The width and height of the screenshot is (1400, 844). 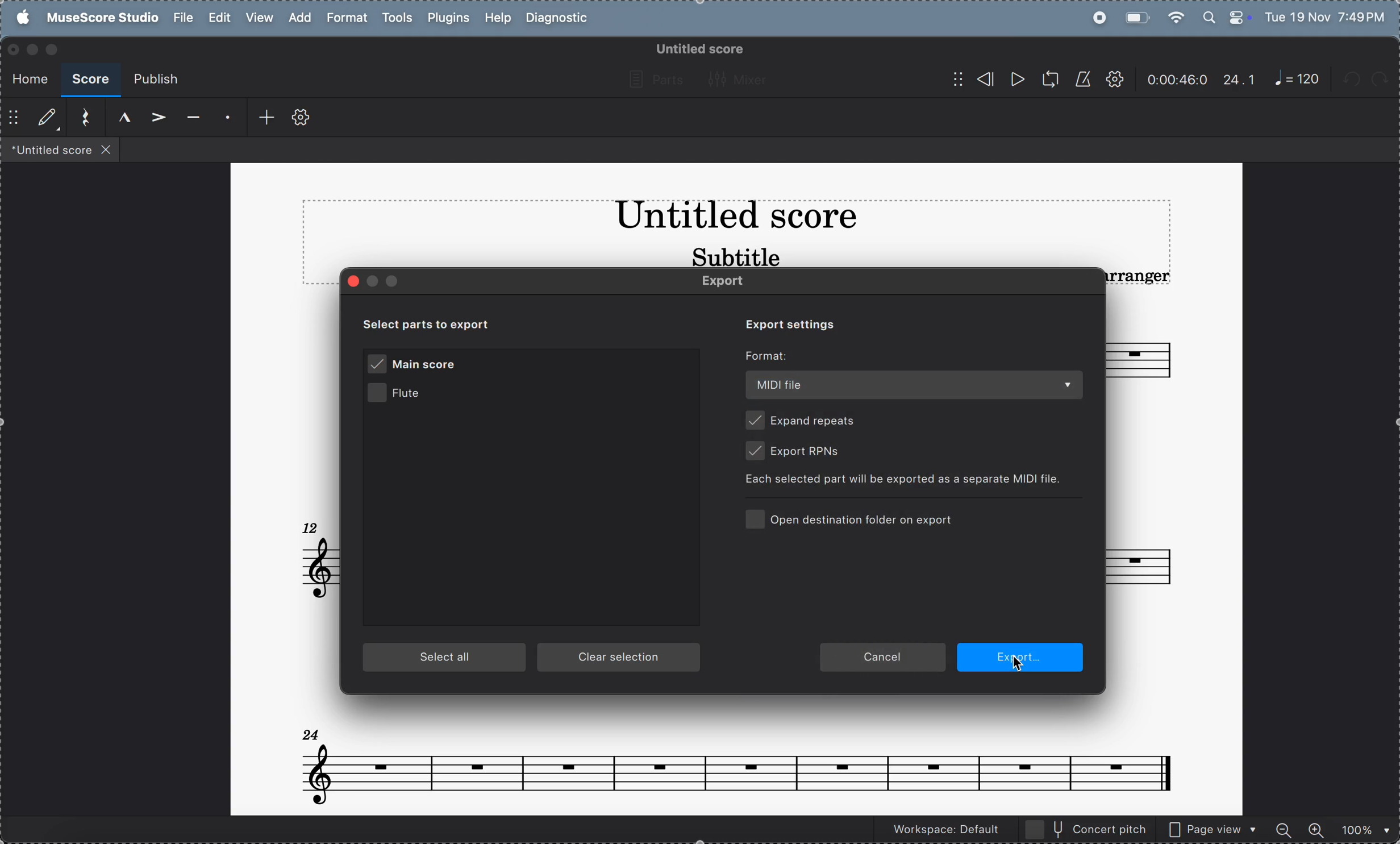 What do you see at coordinates (734, 256) in the screenshot?
I see `subtitle` at bounding box center [734, 256].